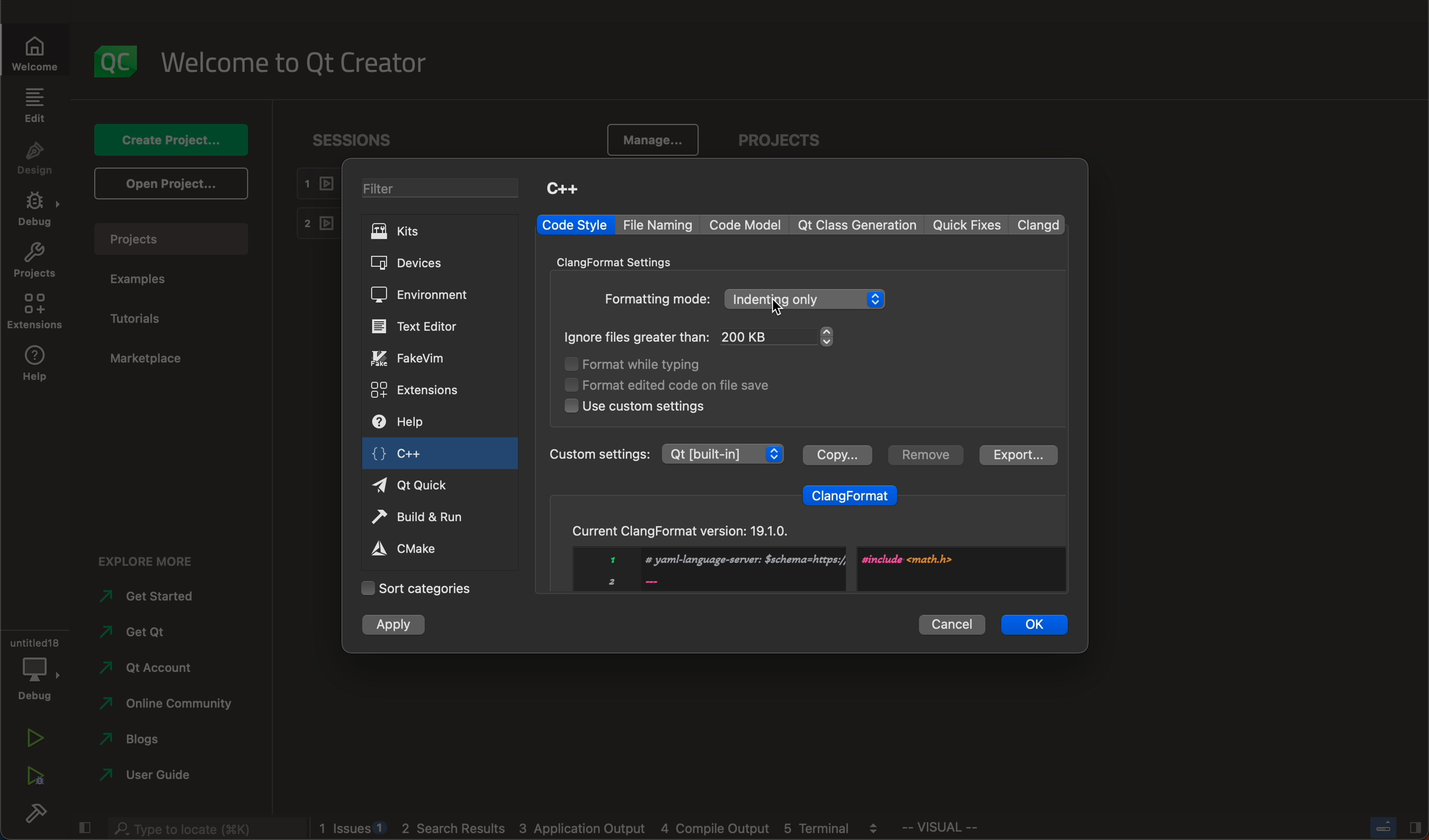 Image resolution: width=1429 pixels, height=840 pixels. What do you see at coordinates (168, 183) in the screenshot?
I see `open` at bounding box center [168, 183].